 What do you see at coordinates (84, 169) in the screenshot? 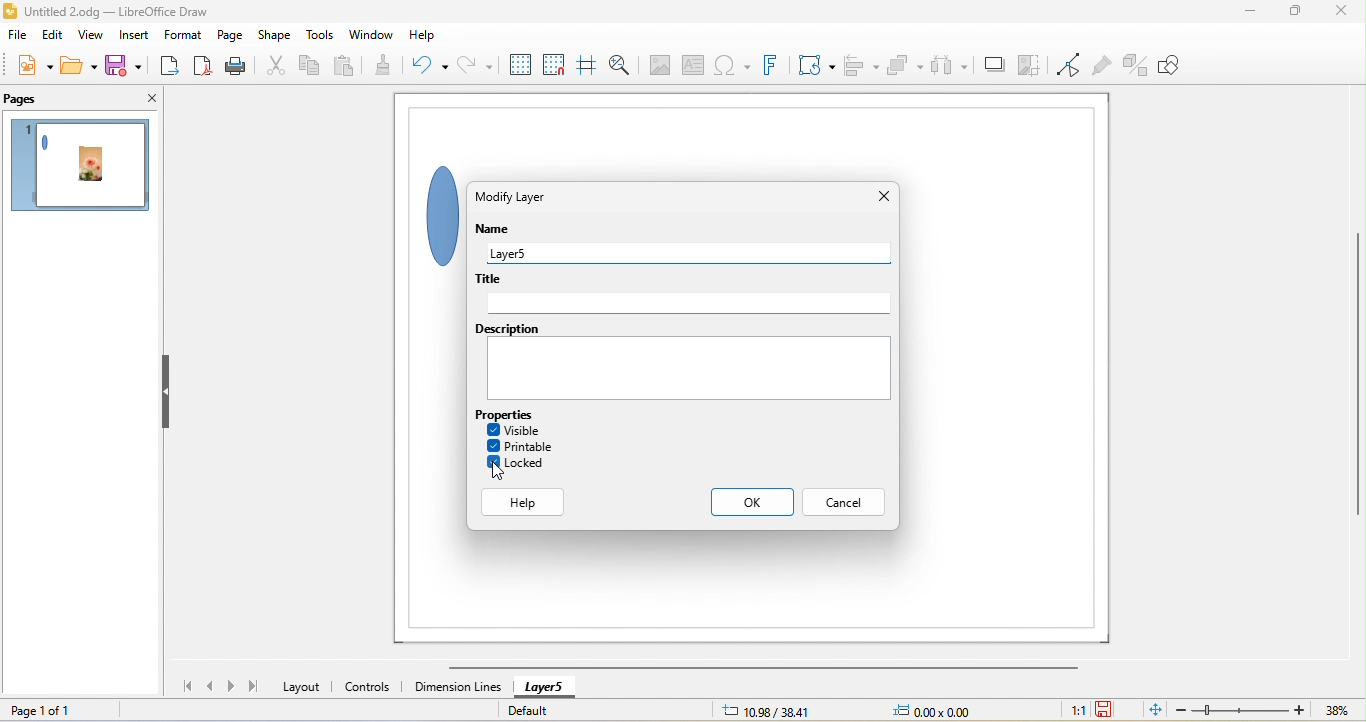
I see `page 1` at bounding box center [84, 169].